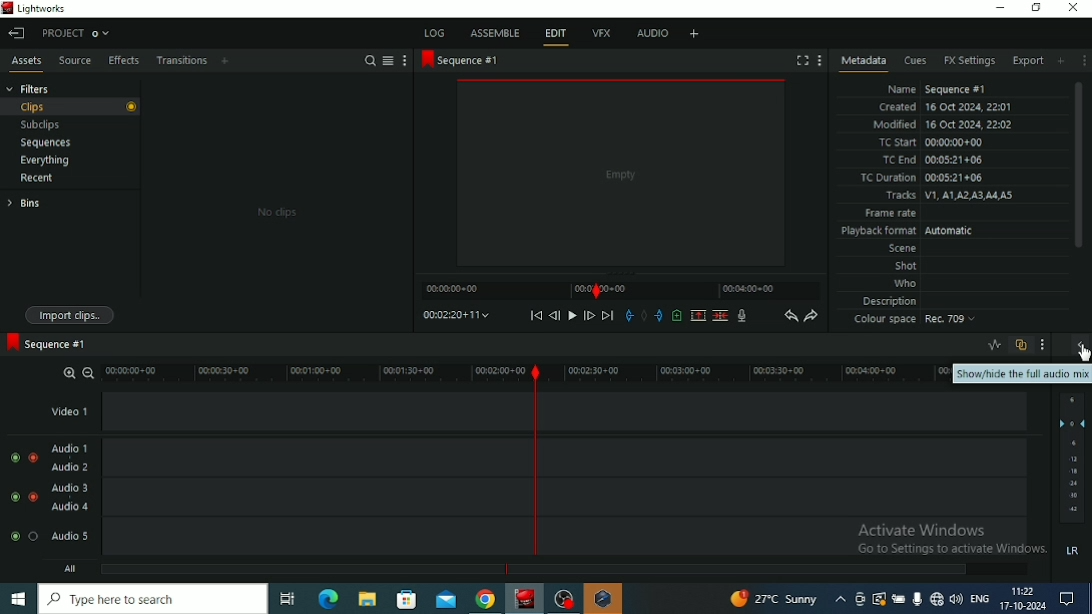  I want to click on Move backward, so click(536, 315).